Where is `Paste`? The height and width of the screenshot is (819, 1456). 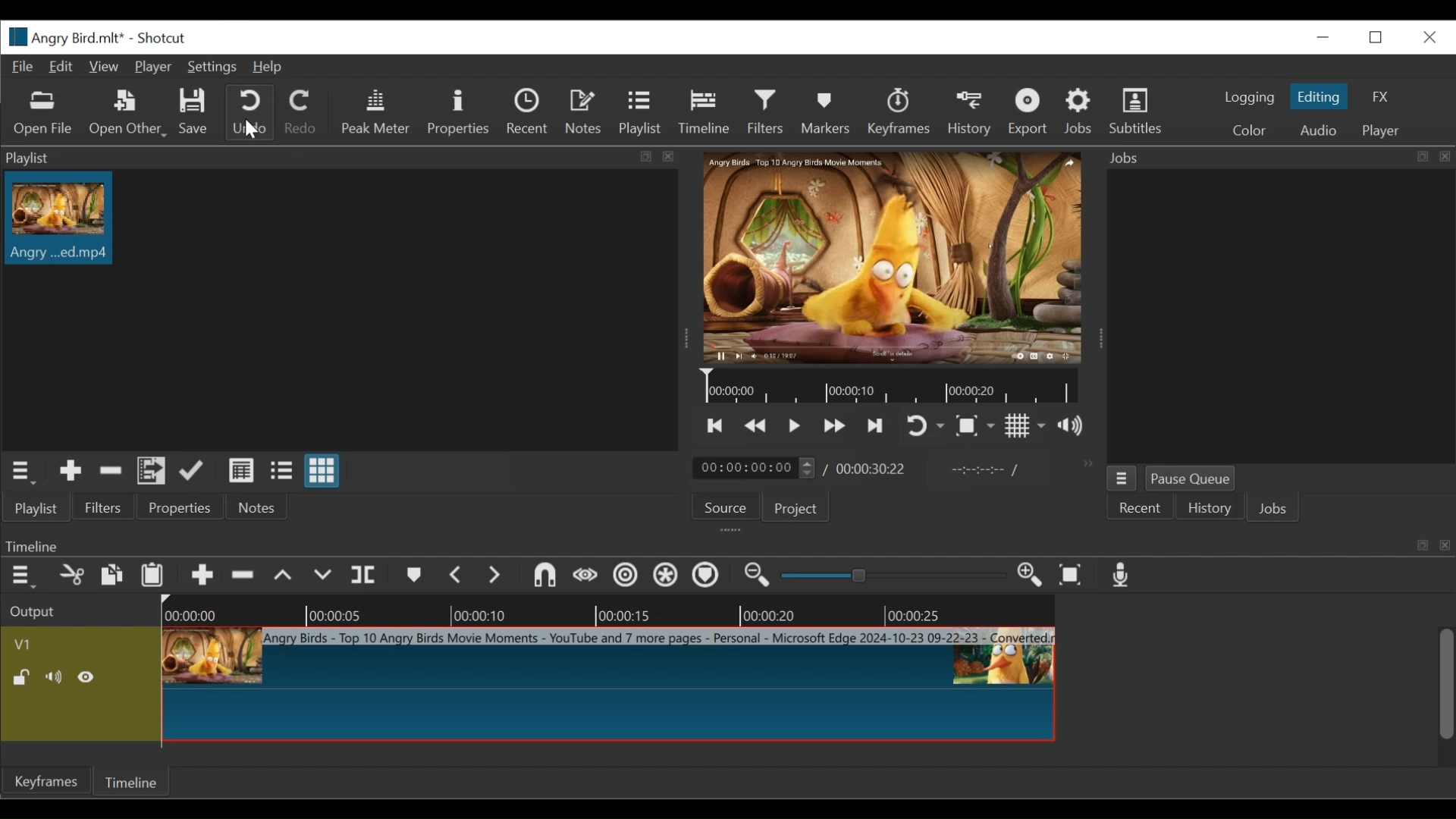
Paste is located at coordinates (152, 577).